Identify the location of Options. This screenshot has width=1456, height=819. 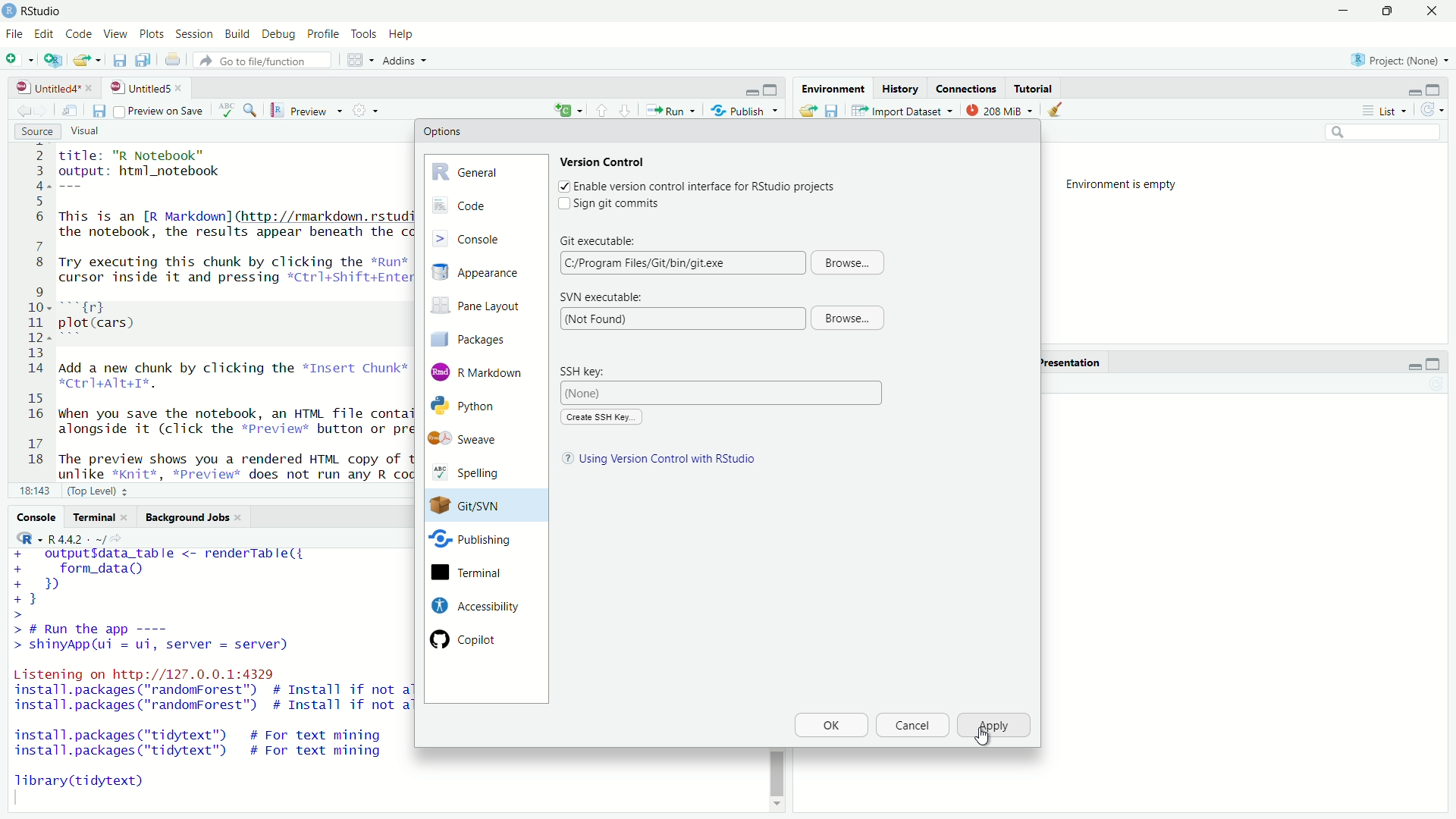
(443, 131).